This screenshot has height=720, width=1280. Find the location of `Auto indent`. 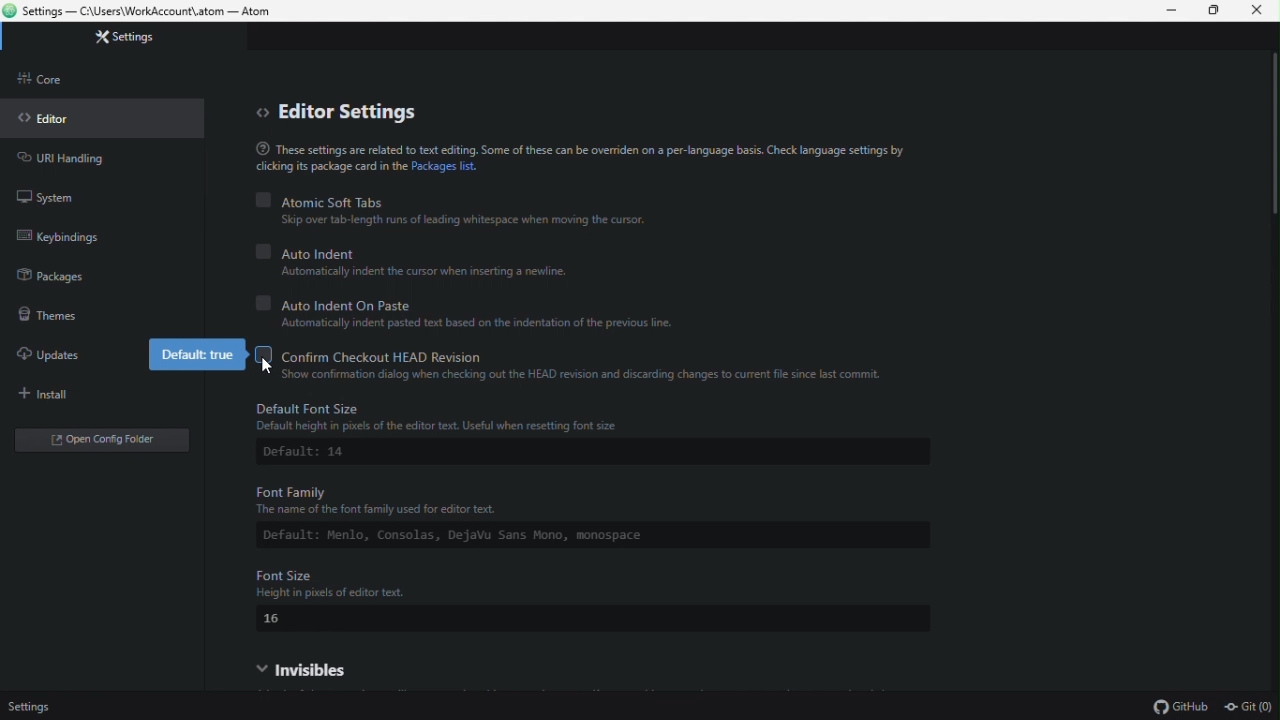

Auto indent is located at coordinates (417, 250).